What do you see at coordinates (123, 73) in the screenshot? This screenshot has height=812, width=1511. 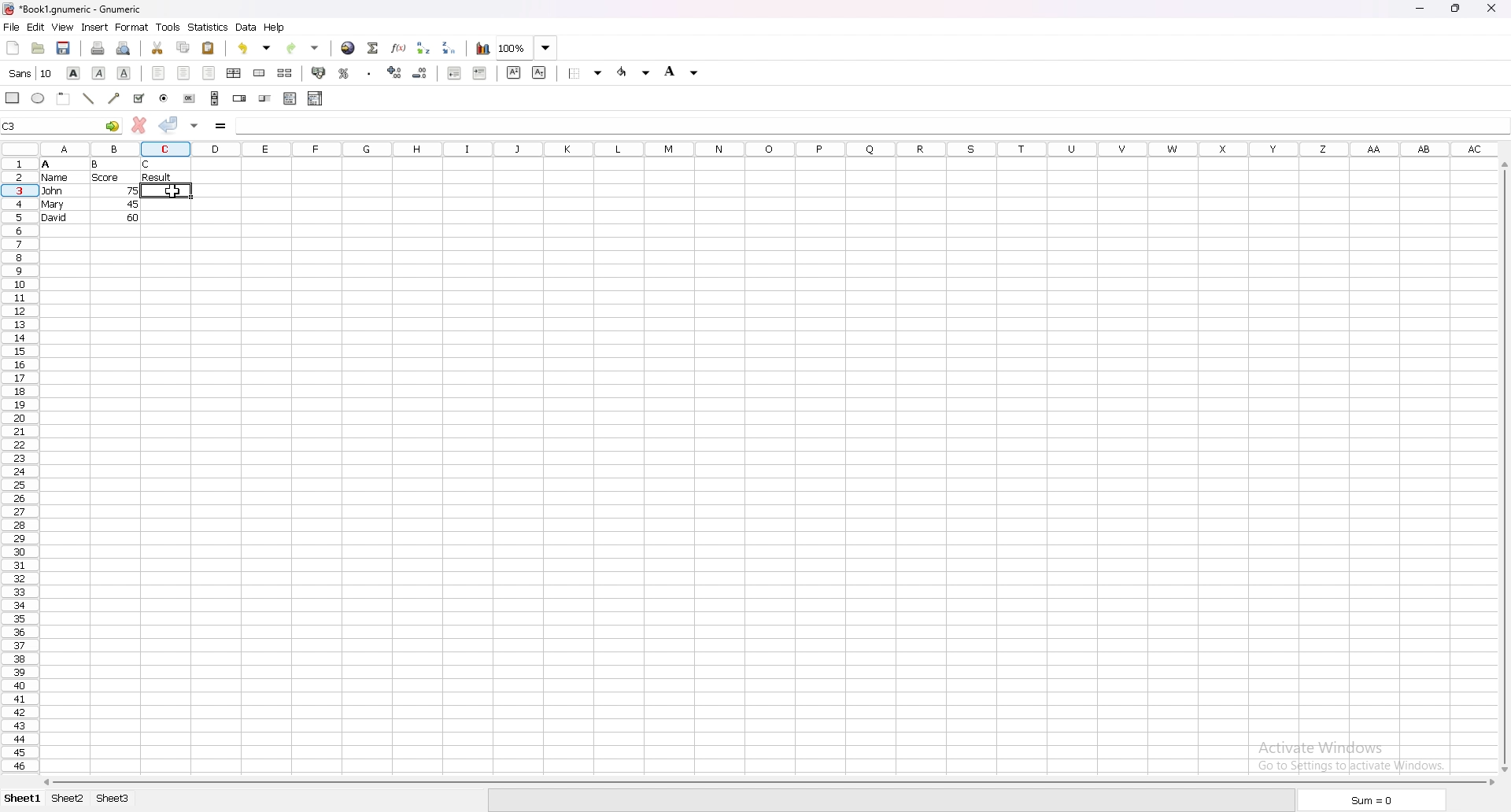 I see `underline` at bounding box center [123, 73].